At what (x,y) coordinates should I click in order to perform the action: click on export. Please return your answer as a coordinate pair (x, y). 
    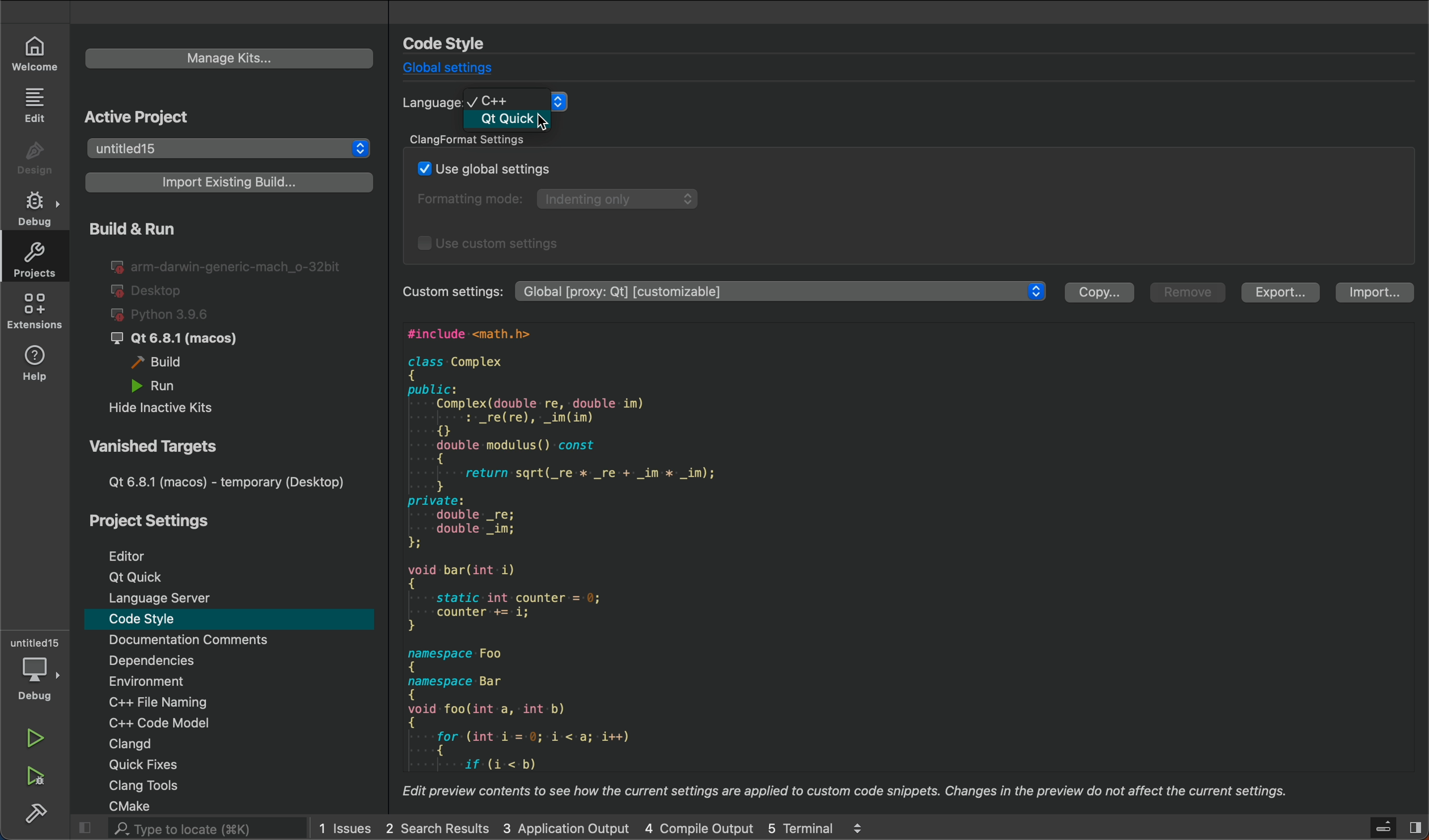
    Looking at the image, I should click on (1283, 293).